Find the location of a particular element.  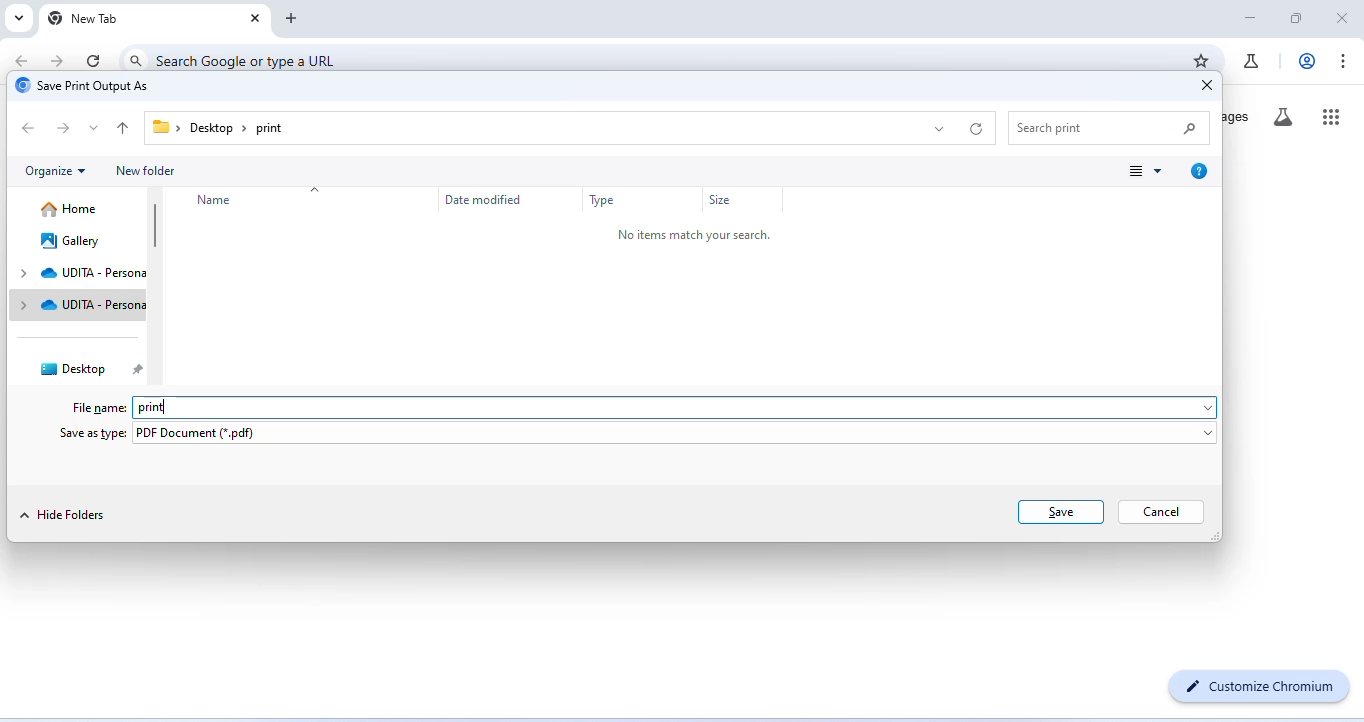

Size is located at coordinates (723, 200).